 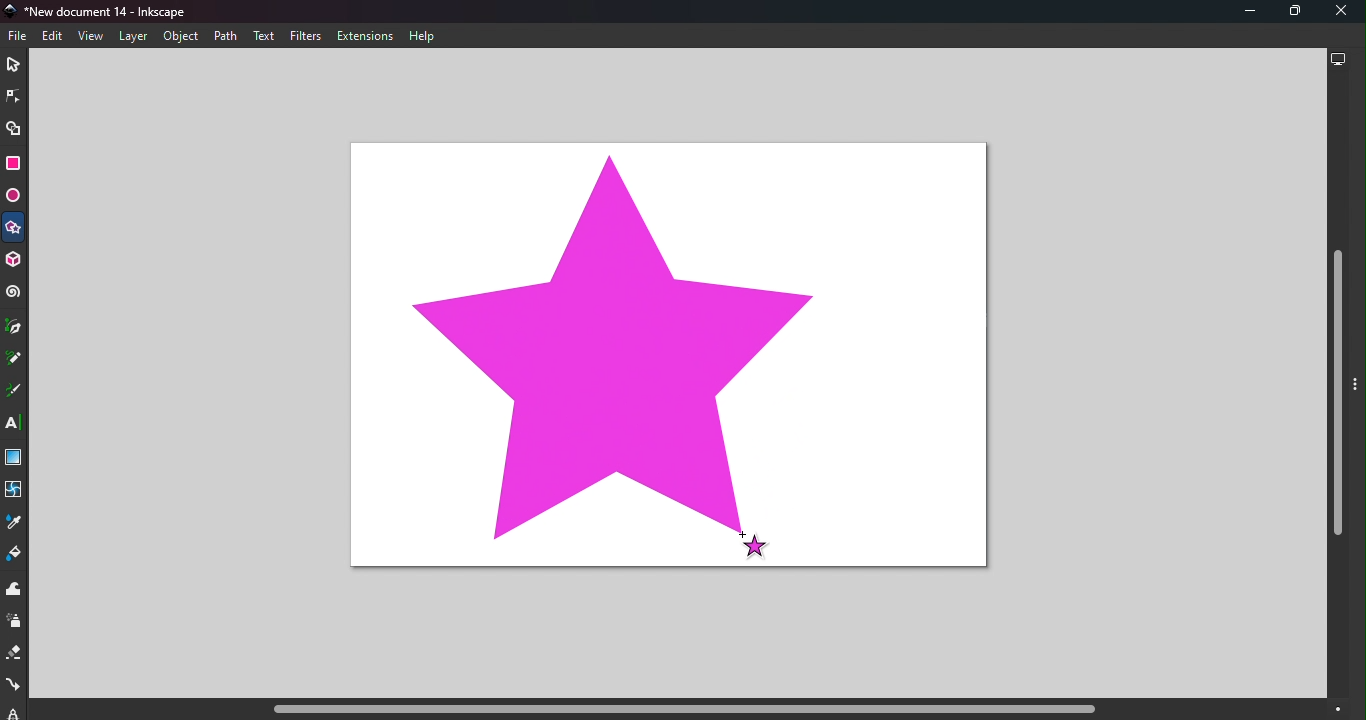 What do you see at coordinates (1358, 395) in the screenshot?
I see `Toggle command panel` at bounding box center [1358, 395].